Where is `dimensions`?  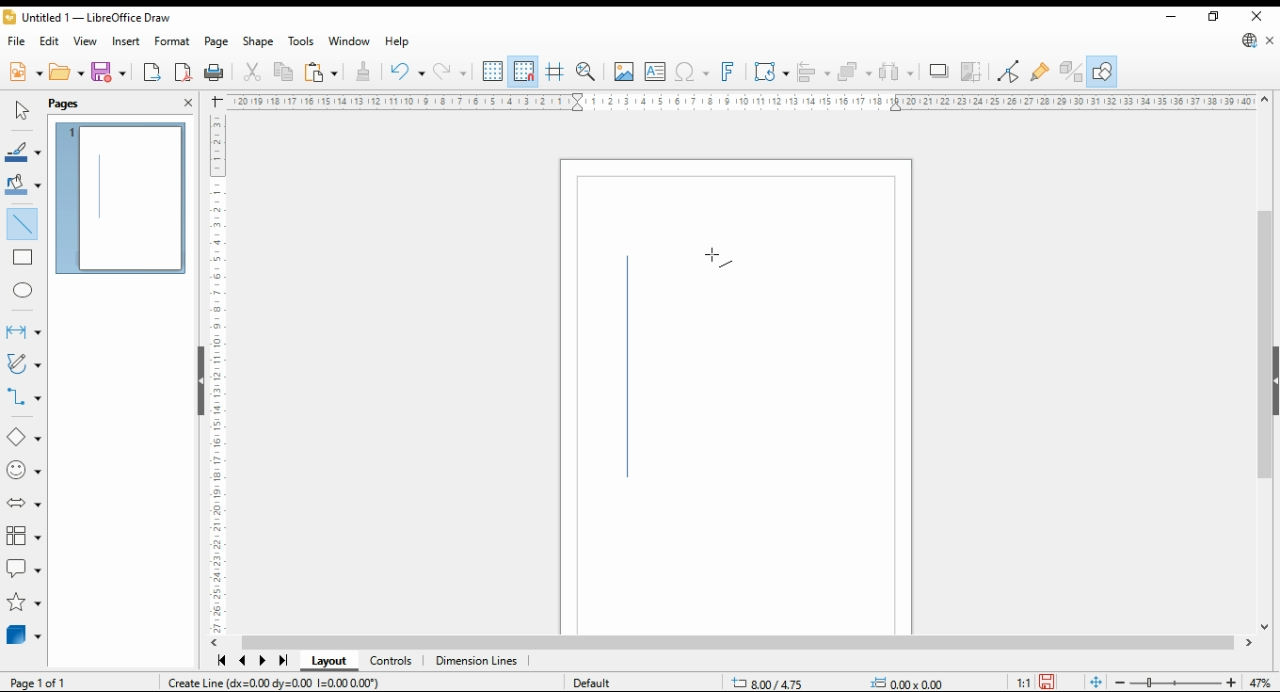 dimensions is located at coordinates (477, 661).